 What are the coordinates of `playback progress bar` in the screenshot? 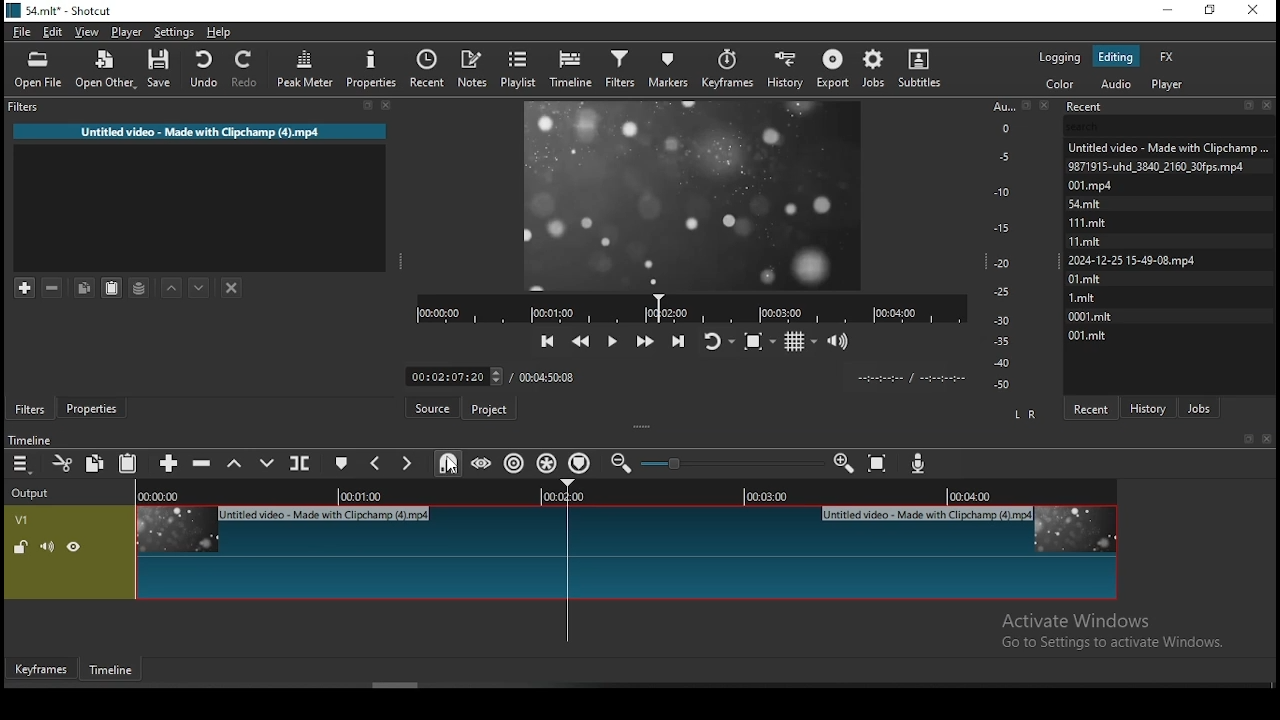 It's located at (692, 309).